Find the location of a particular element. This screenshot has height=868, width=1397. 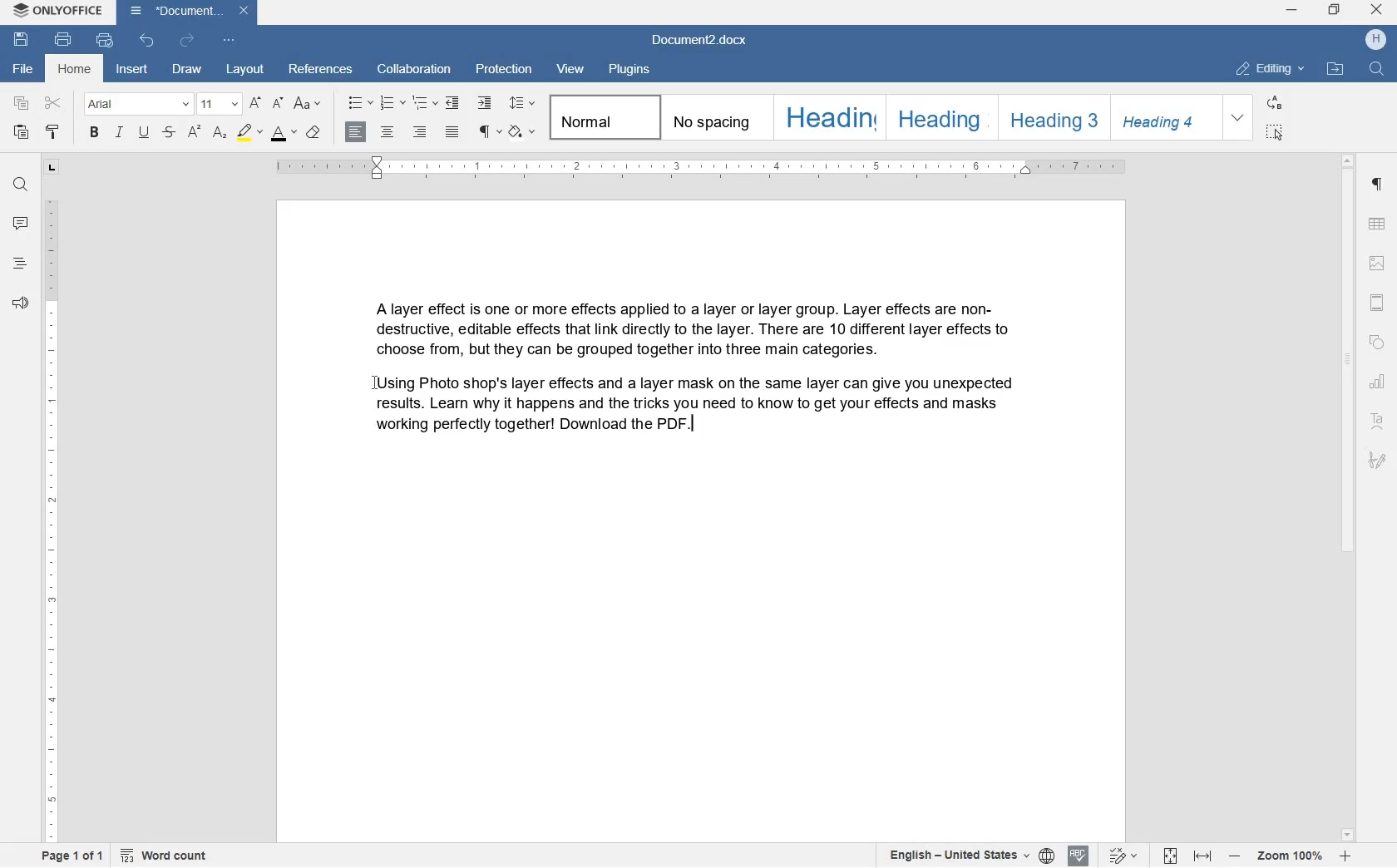

HIGHLIGHT COLOR is located at coordinates (248, 132).